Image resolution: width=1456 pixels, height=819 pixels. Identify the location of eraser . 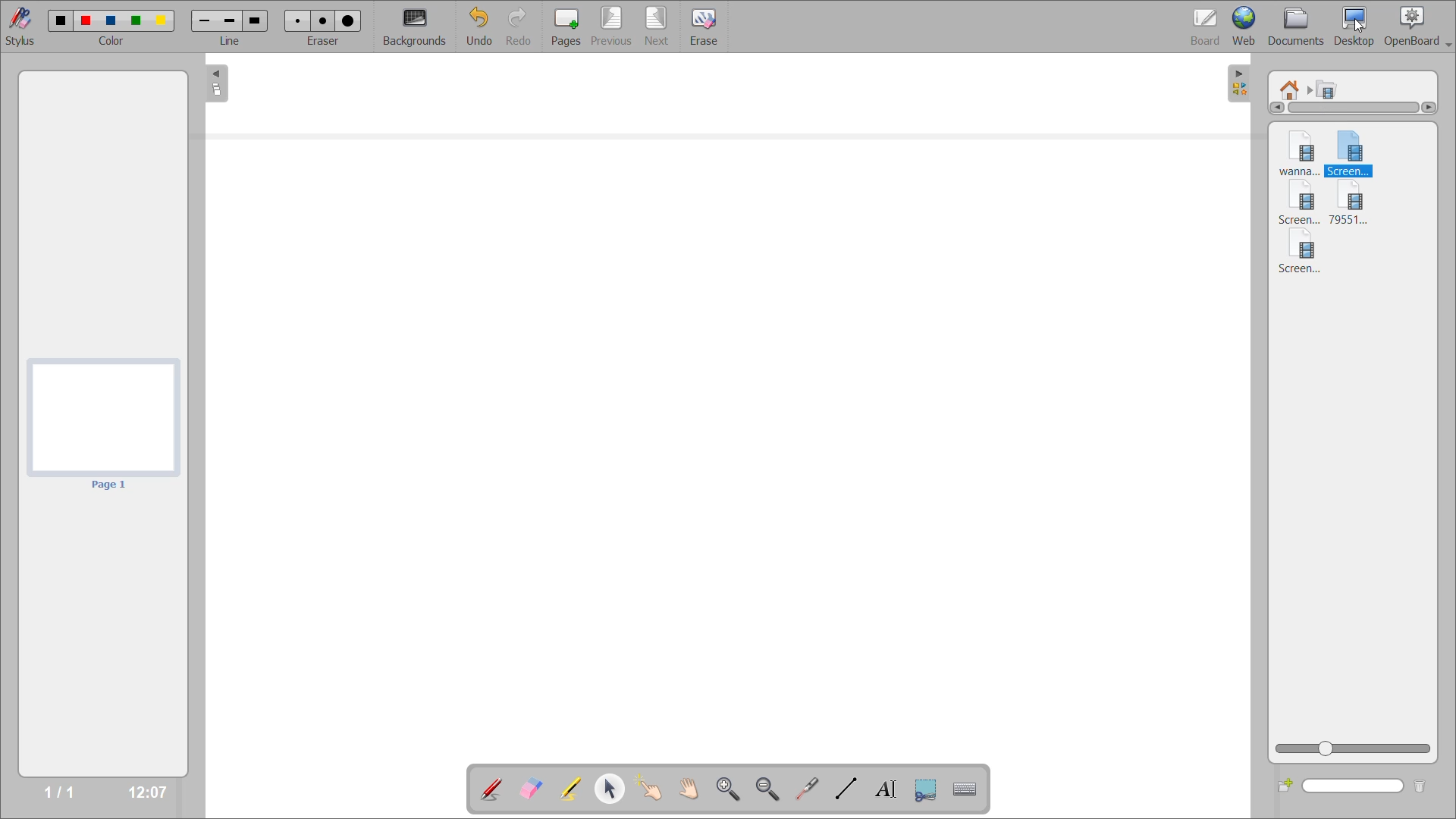
(326, 42).